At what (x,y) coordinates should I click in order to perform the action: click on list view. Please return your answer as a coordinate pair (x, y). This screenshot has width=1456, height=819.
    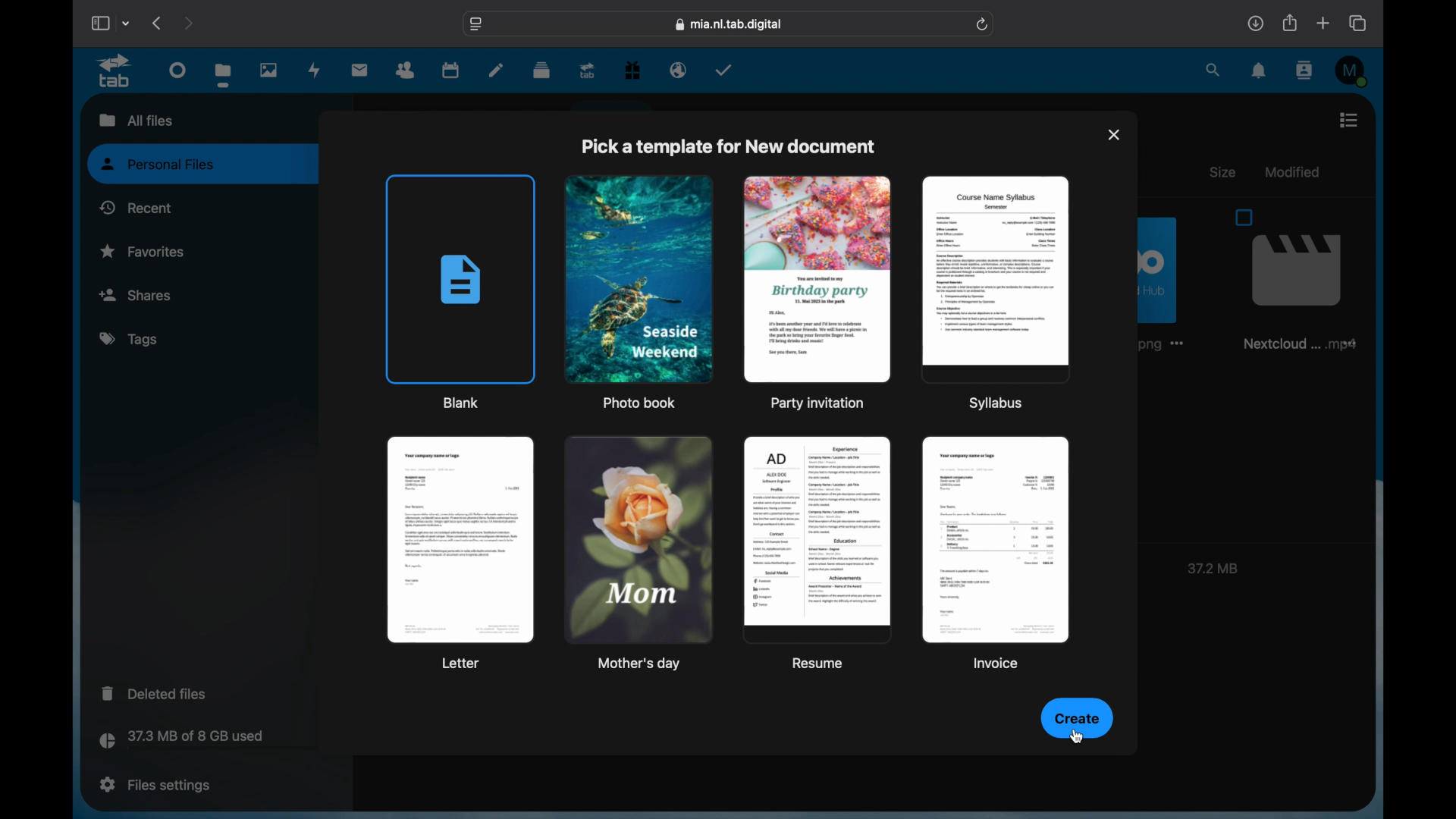
    Looking at the image, I should click on (1348, 120).